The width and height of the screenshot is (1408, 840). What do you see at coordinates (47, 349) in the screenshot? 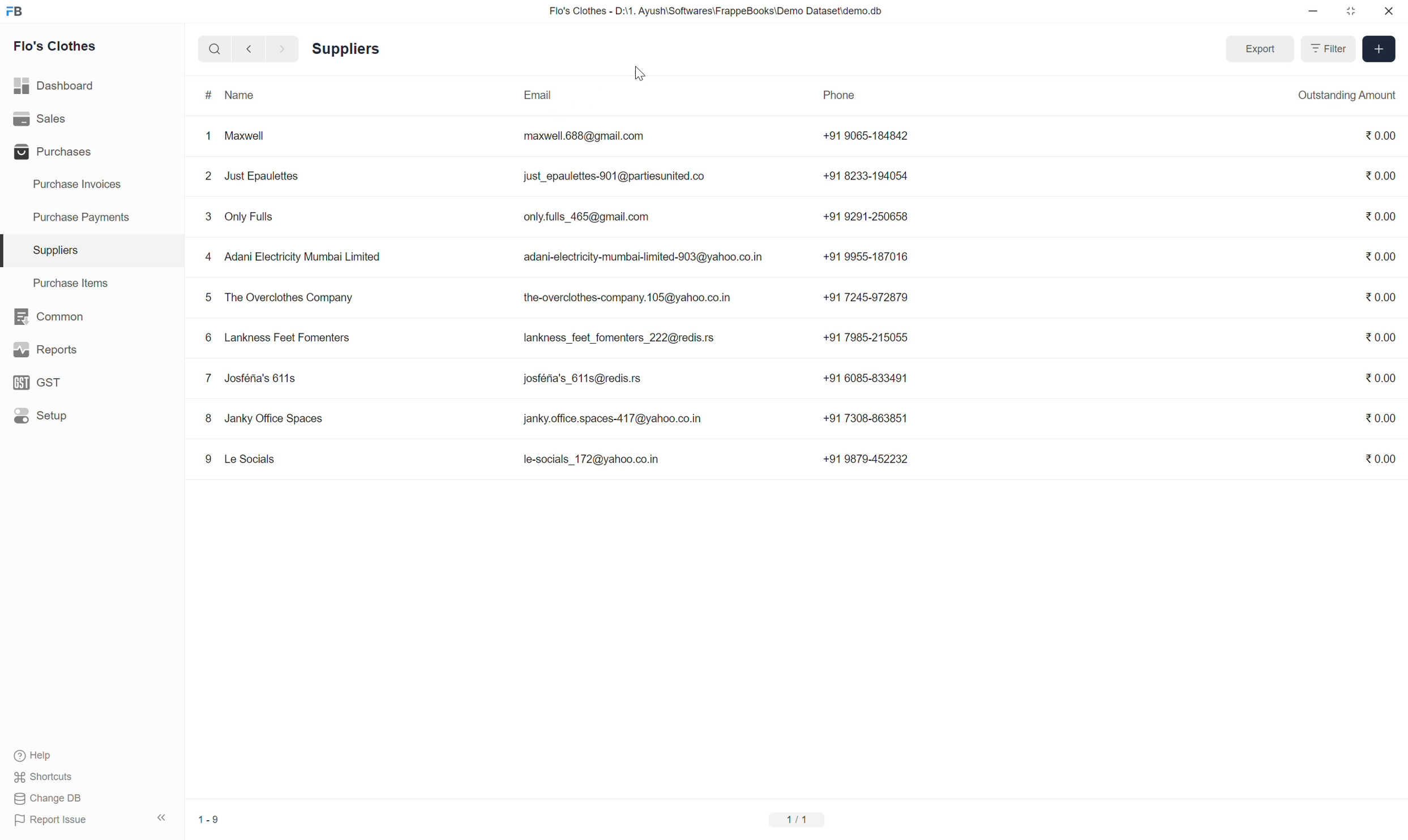
I see `Reports` at bounding box center [47, 349].